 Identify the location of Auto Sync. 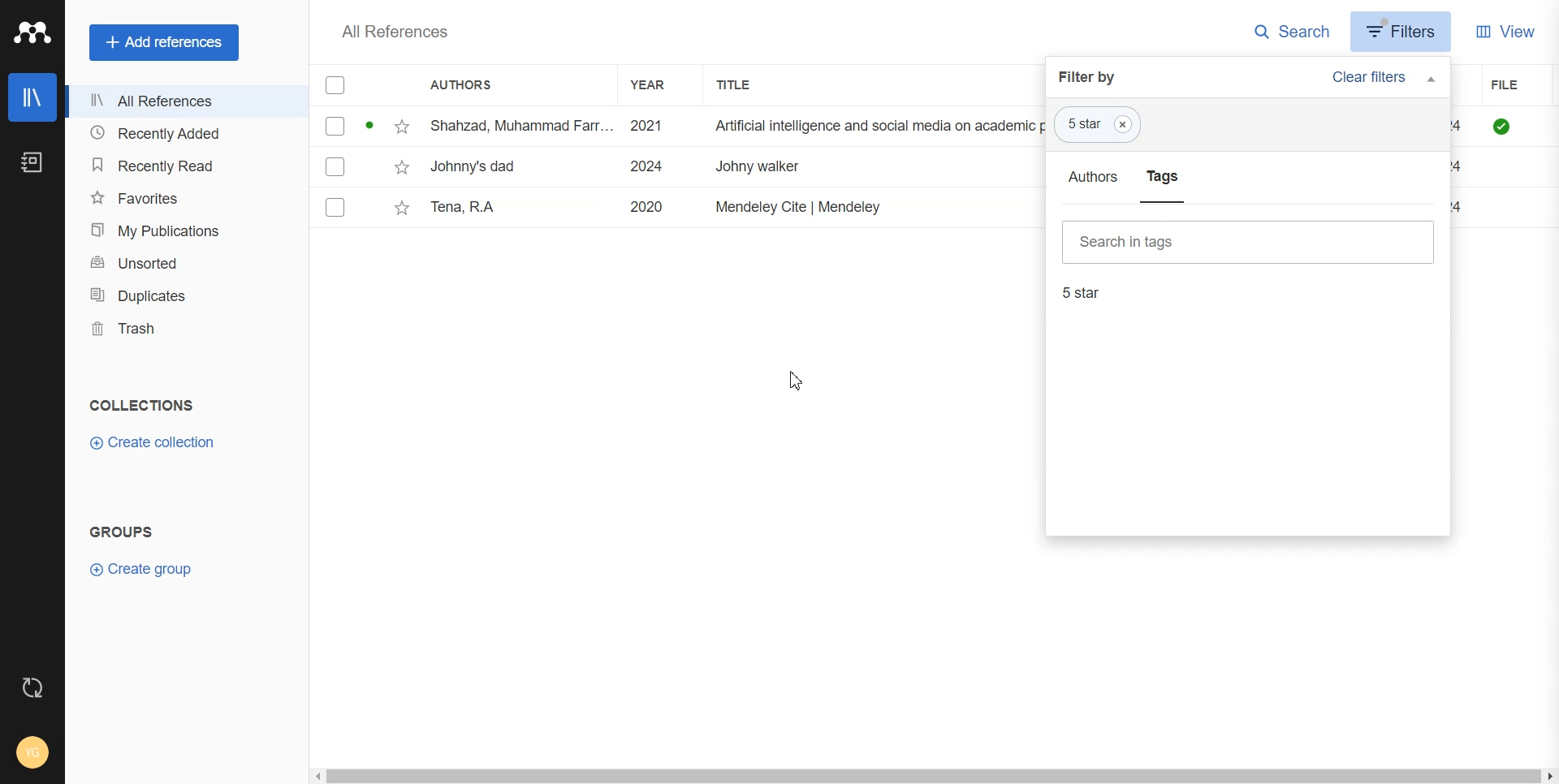
(33, 688).